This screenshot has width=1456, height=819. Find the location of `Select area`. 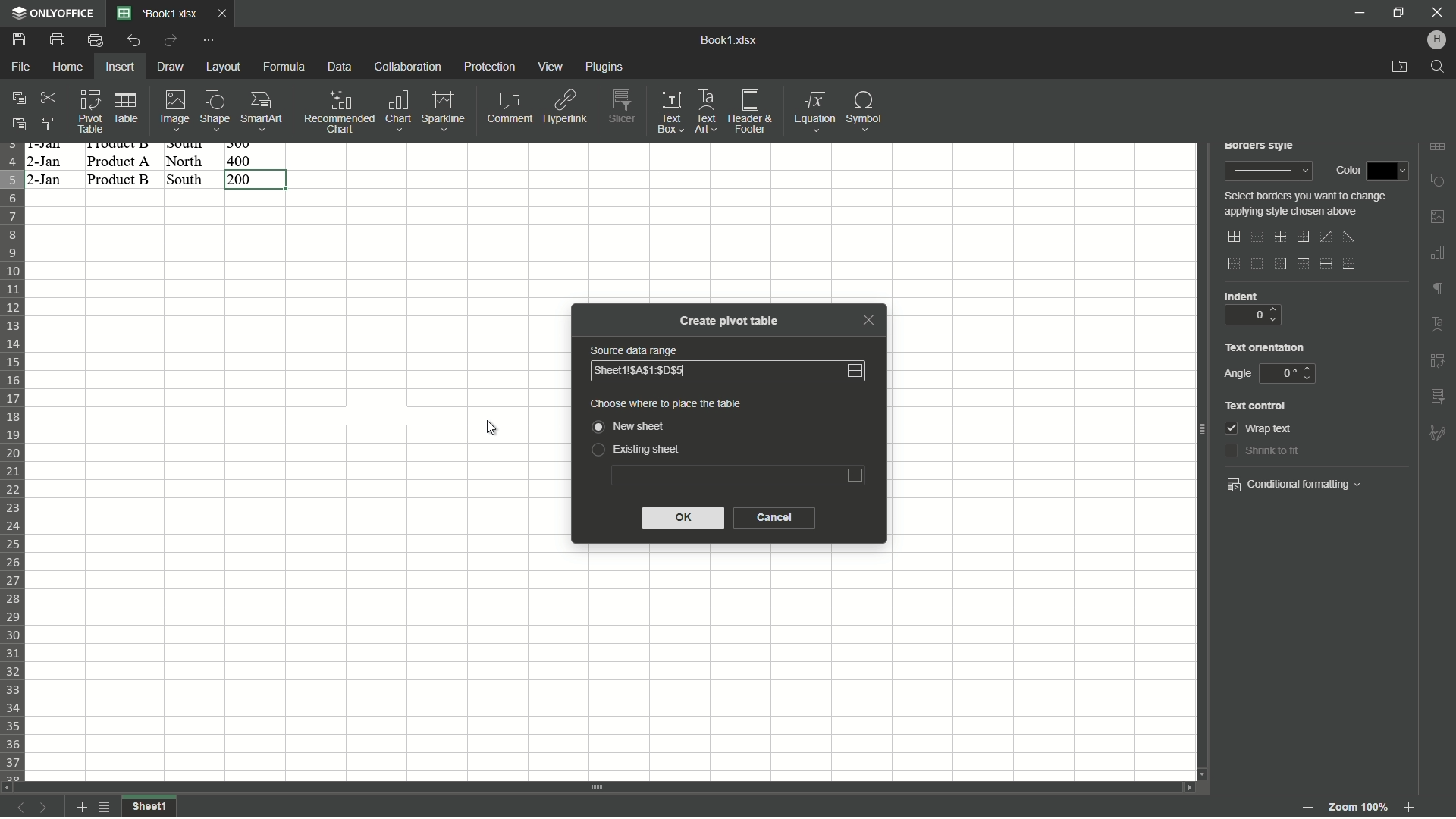

Select area is located at coordinates (853, 473).